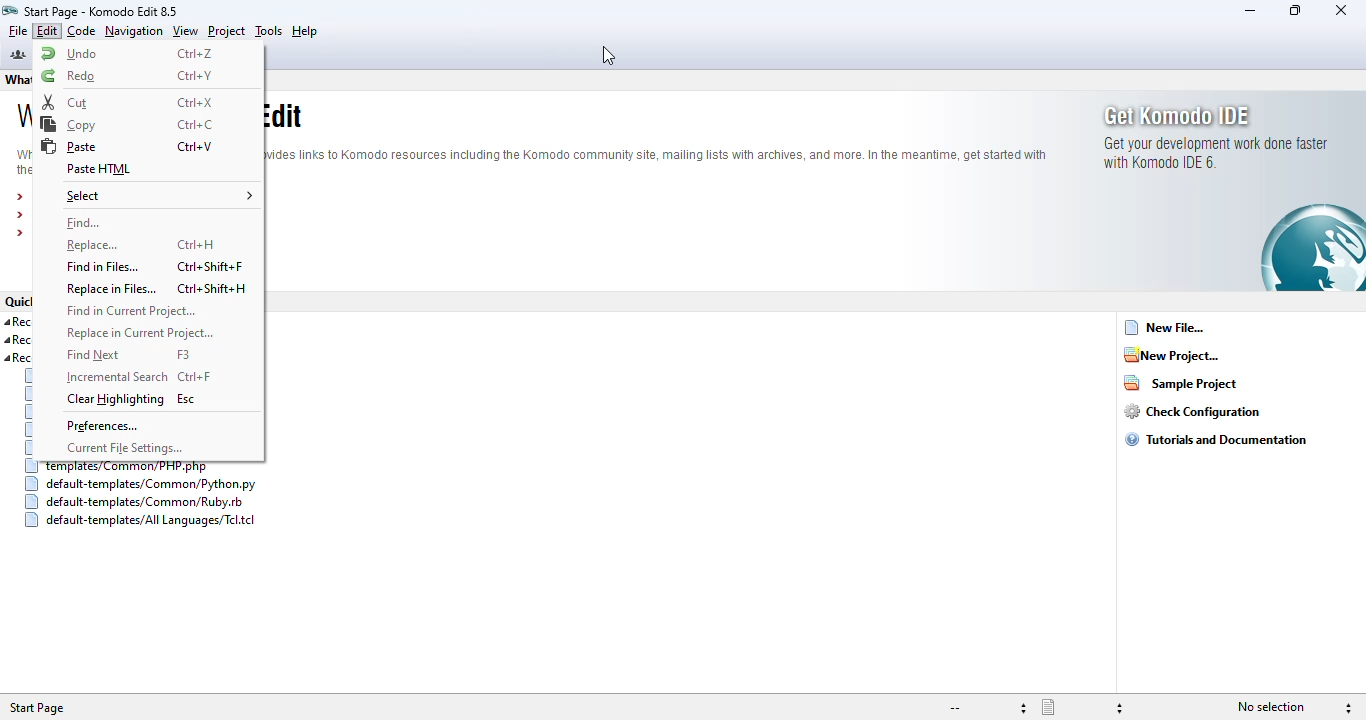  I want to click on text, so click(16, 158).